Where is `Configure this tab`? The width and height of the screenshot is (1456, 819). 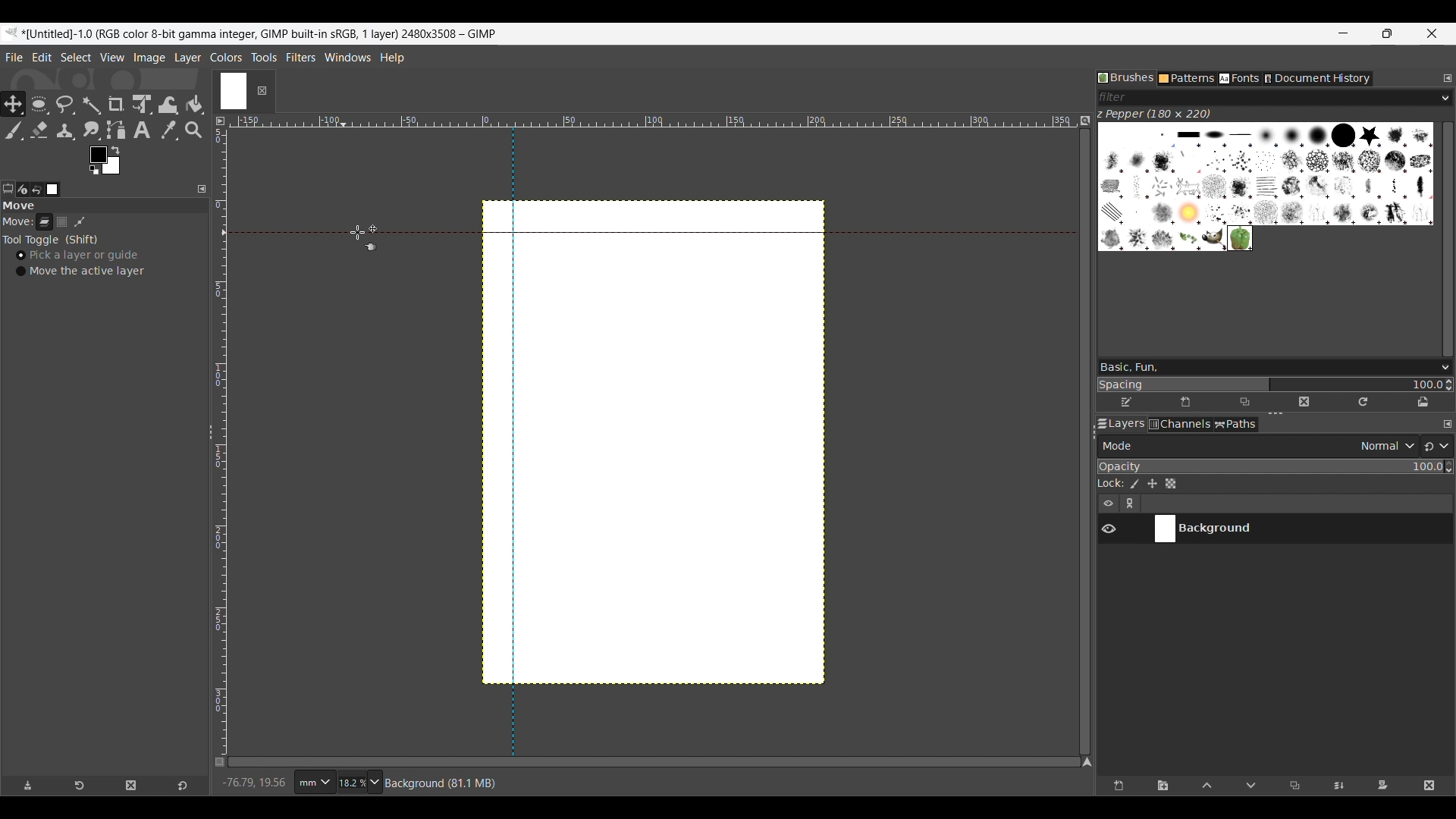
Configure this tab is located at coordinates (1448, 78).